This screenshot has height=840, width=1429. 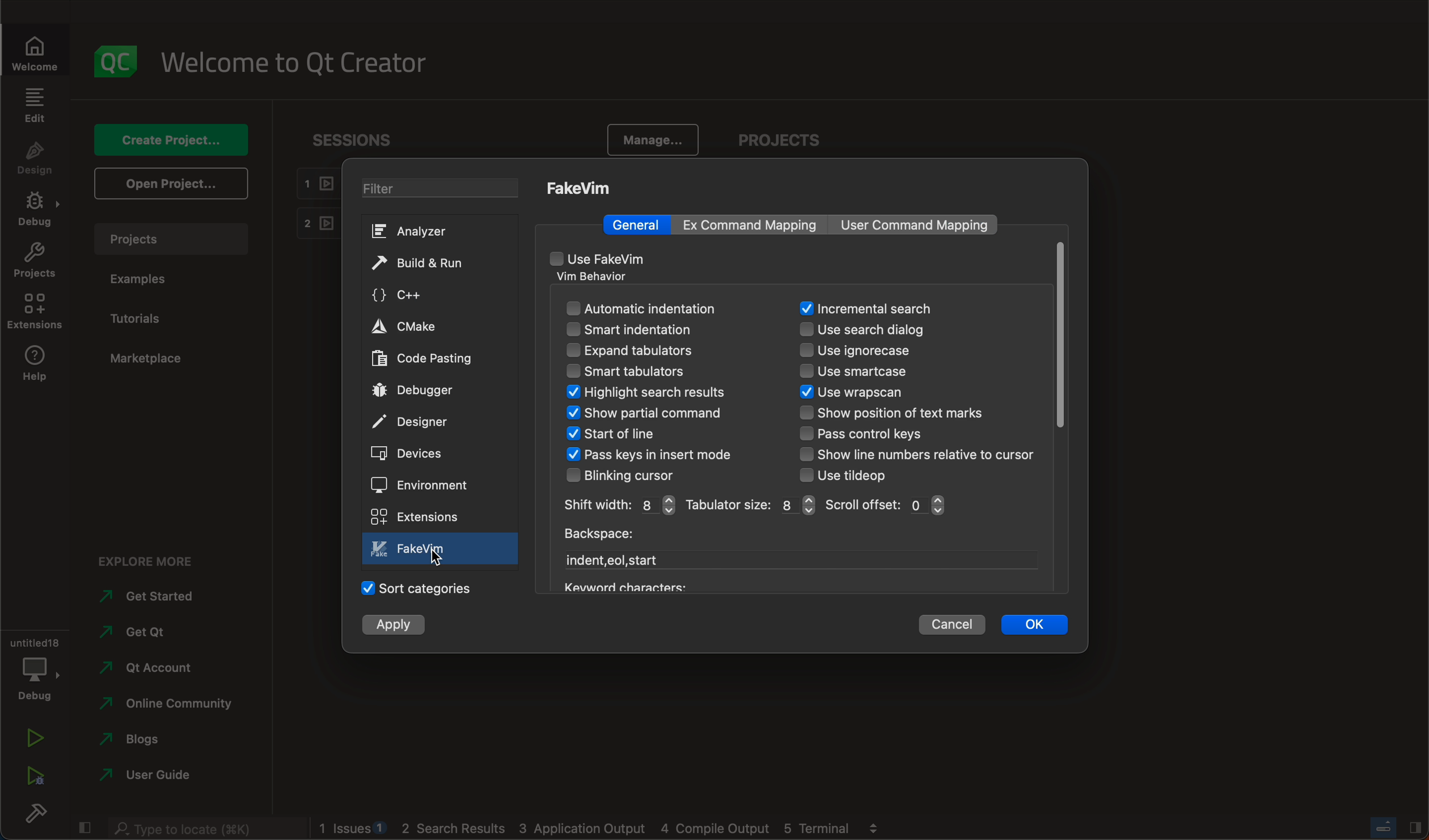 I want to click on explore, so click(x=153, y=562).